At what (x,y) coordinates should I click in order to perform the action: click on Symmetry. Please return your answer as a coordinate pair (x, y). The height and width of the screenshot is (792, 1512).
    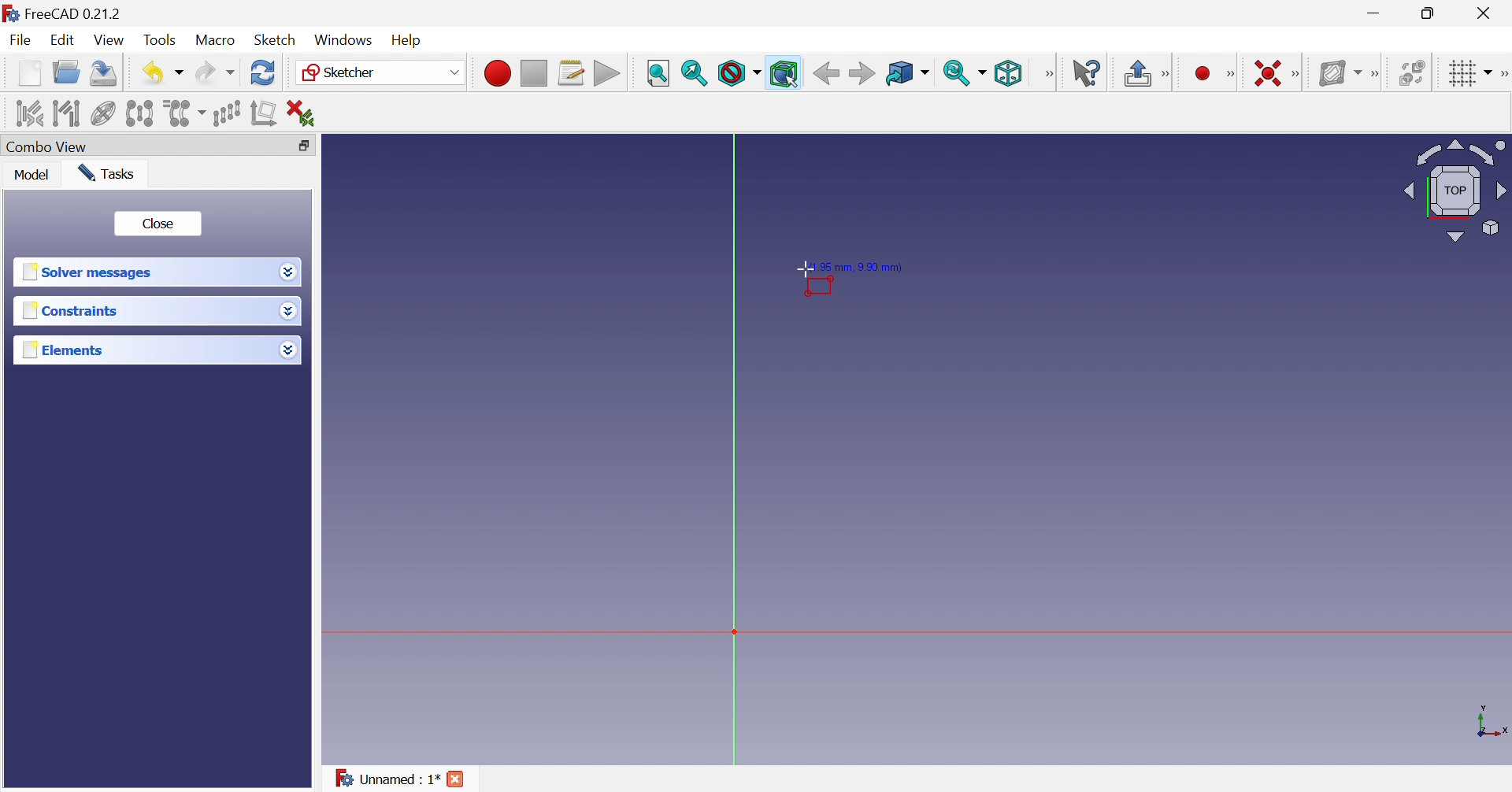
    Looking at the image, I should click on (140, 114).